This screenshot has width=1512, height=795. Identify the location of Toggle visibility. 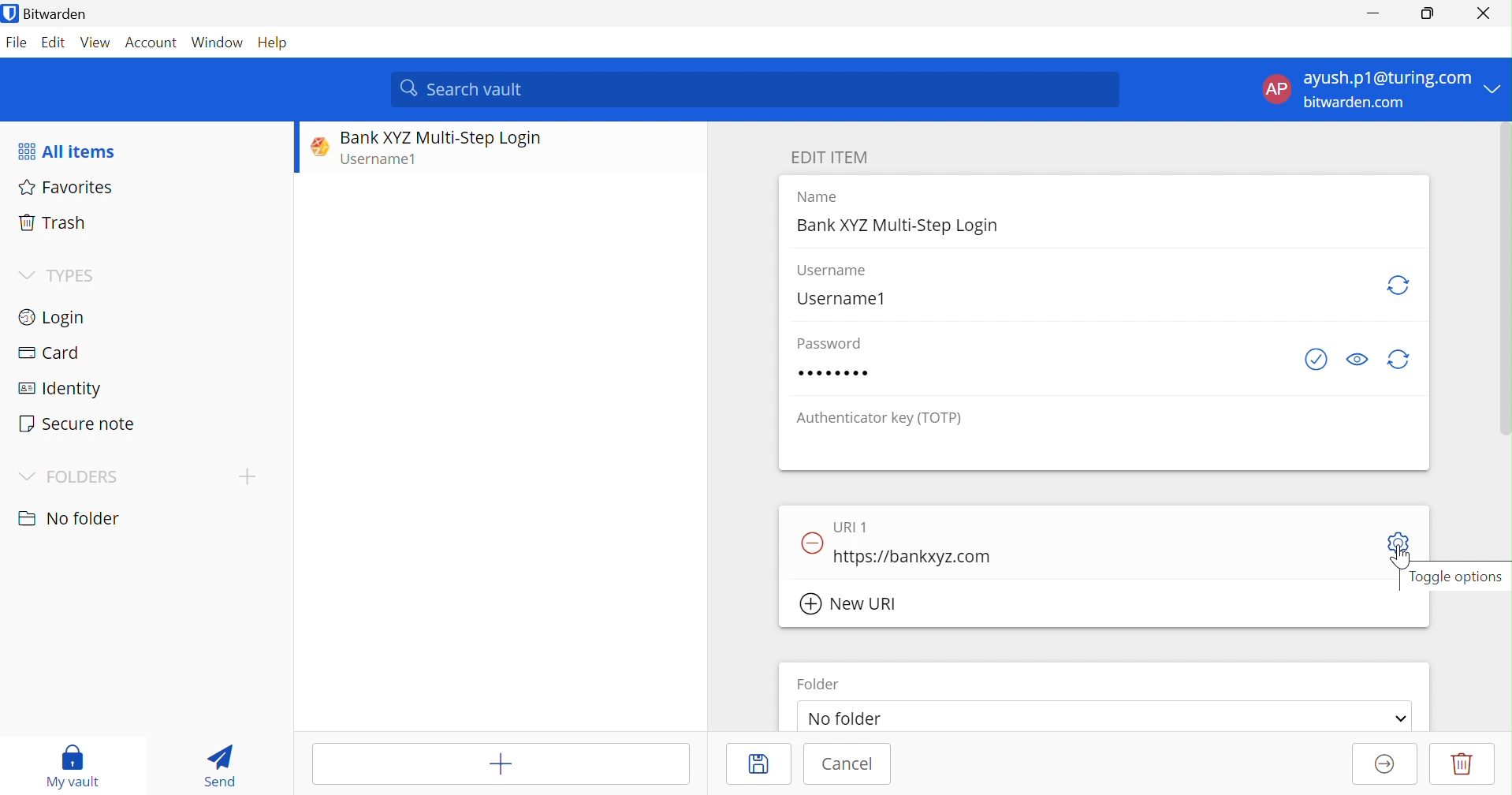
(1357, 360).